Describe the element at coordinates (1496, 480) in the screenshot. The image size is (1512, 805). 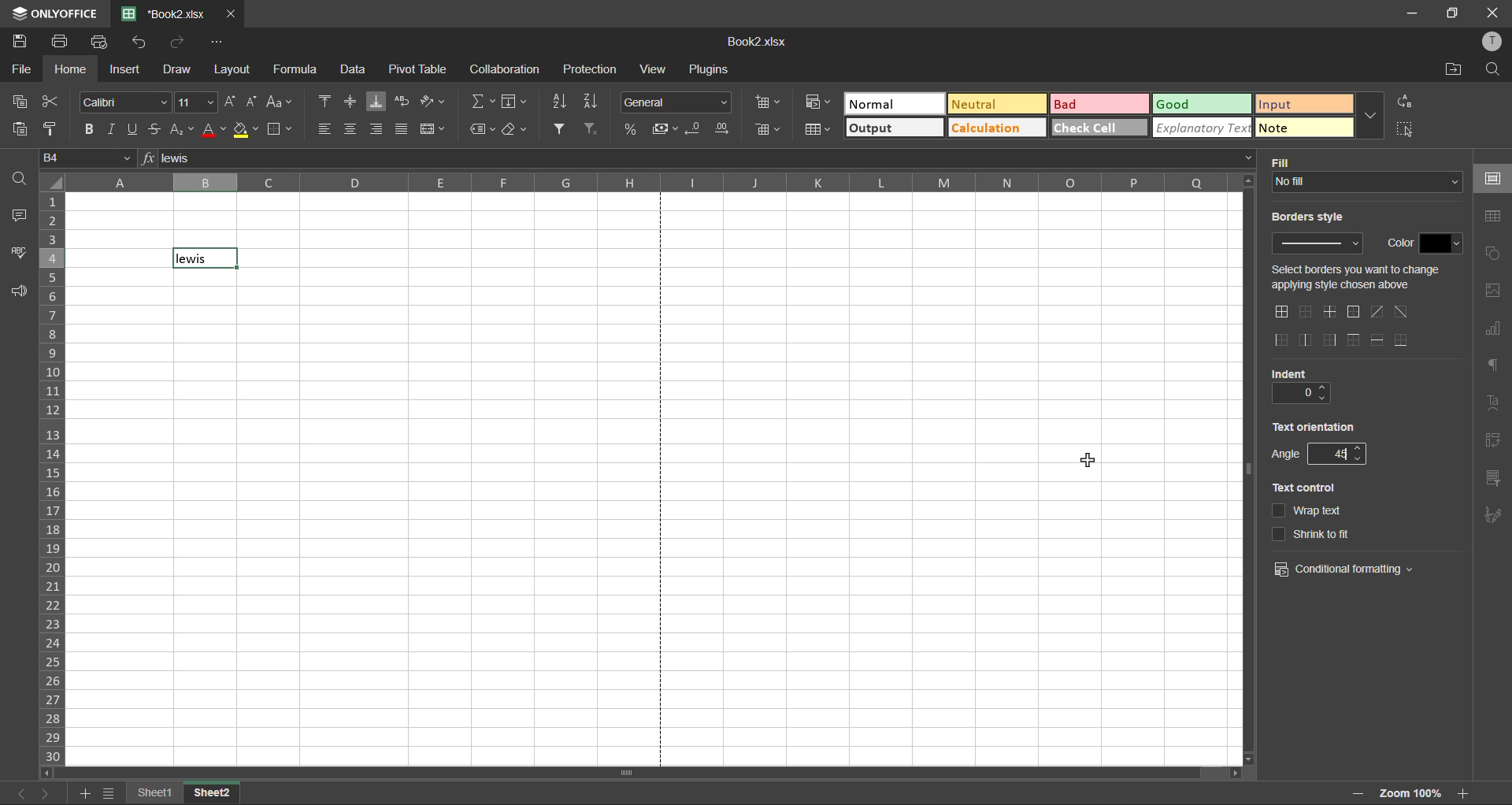
I see `slicer` at that location.